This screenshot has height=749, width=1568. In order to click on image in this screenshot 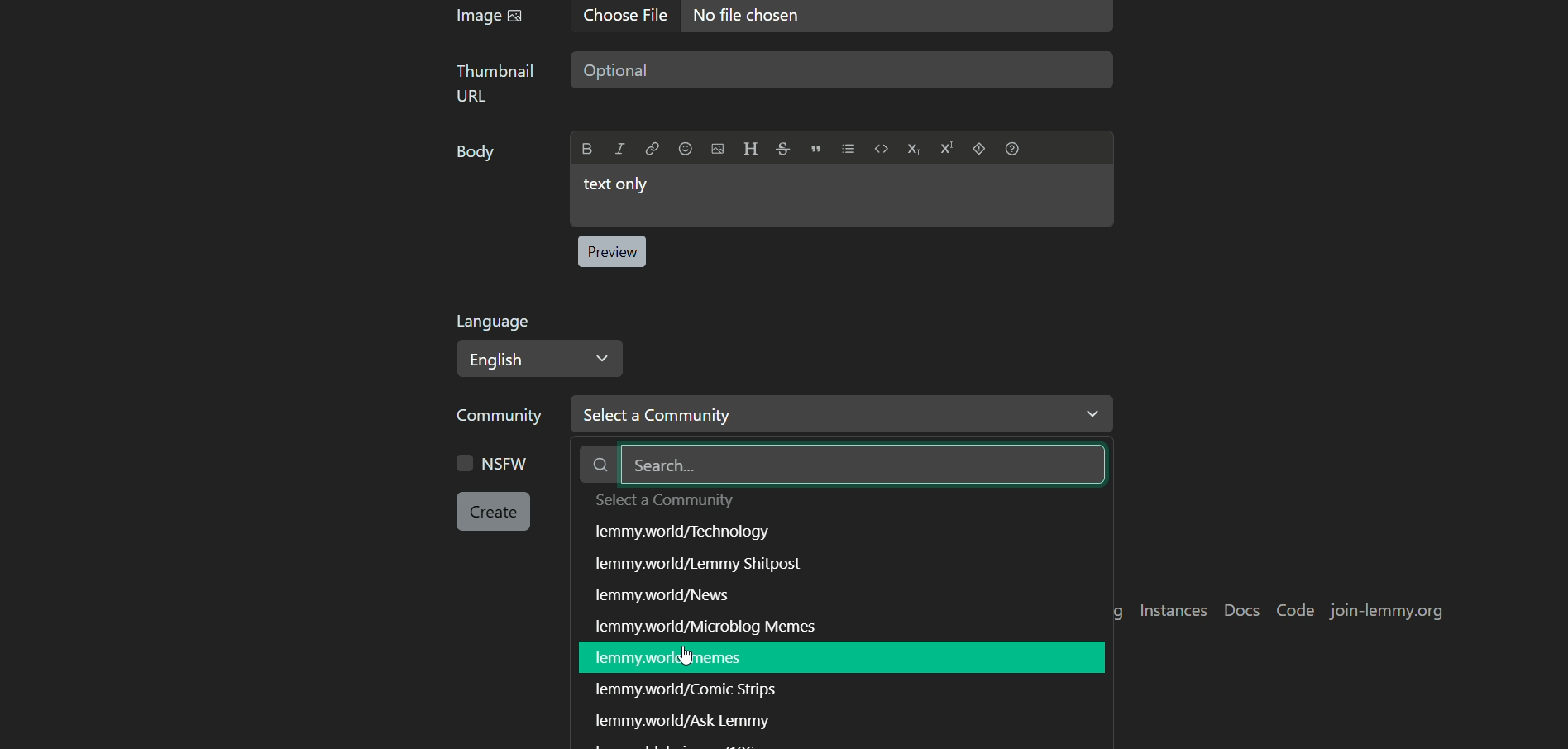, I will do `click(488, 16)`.